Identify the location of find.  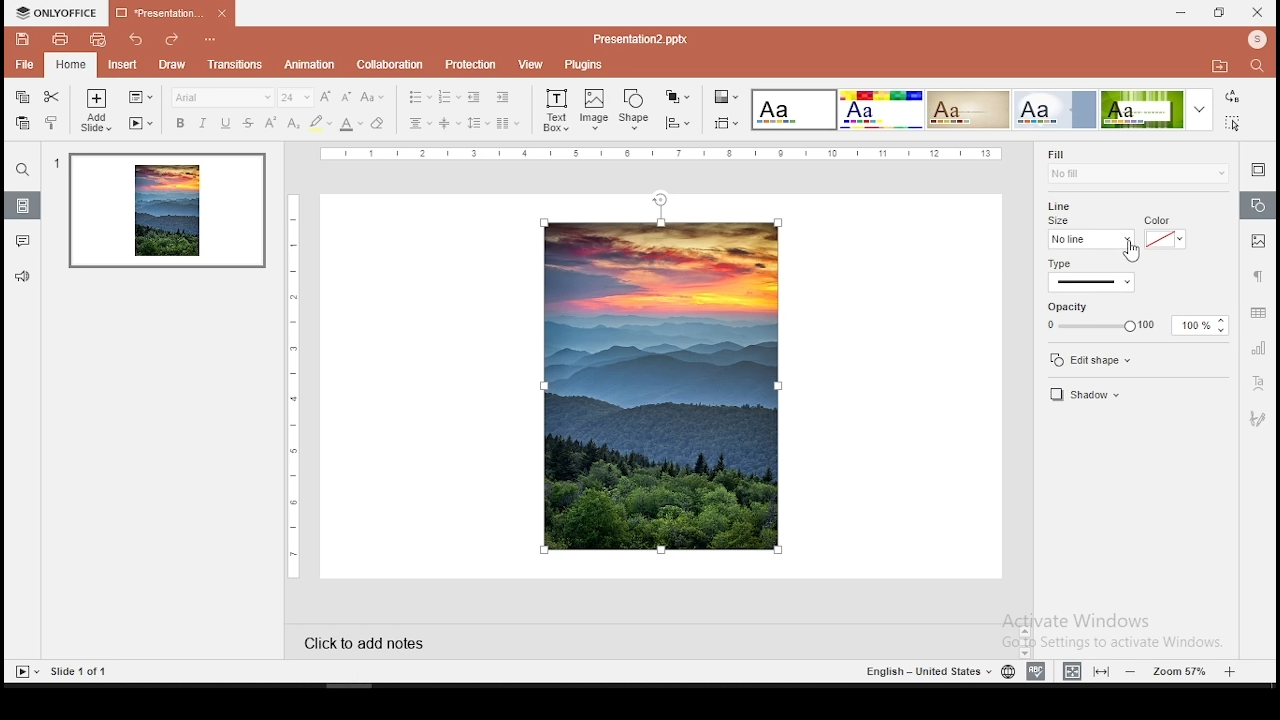
(1258, 66).